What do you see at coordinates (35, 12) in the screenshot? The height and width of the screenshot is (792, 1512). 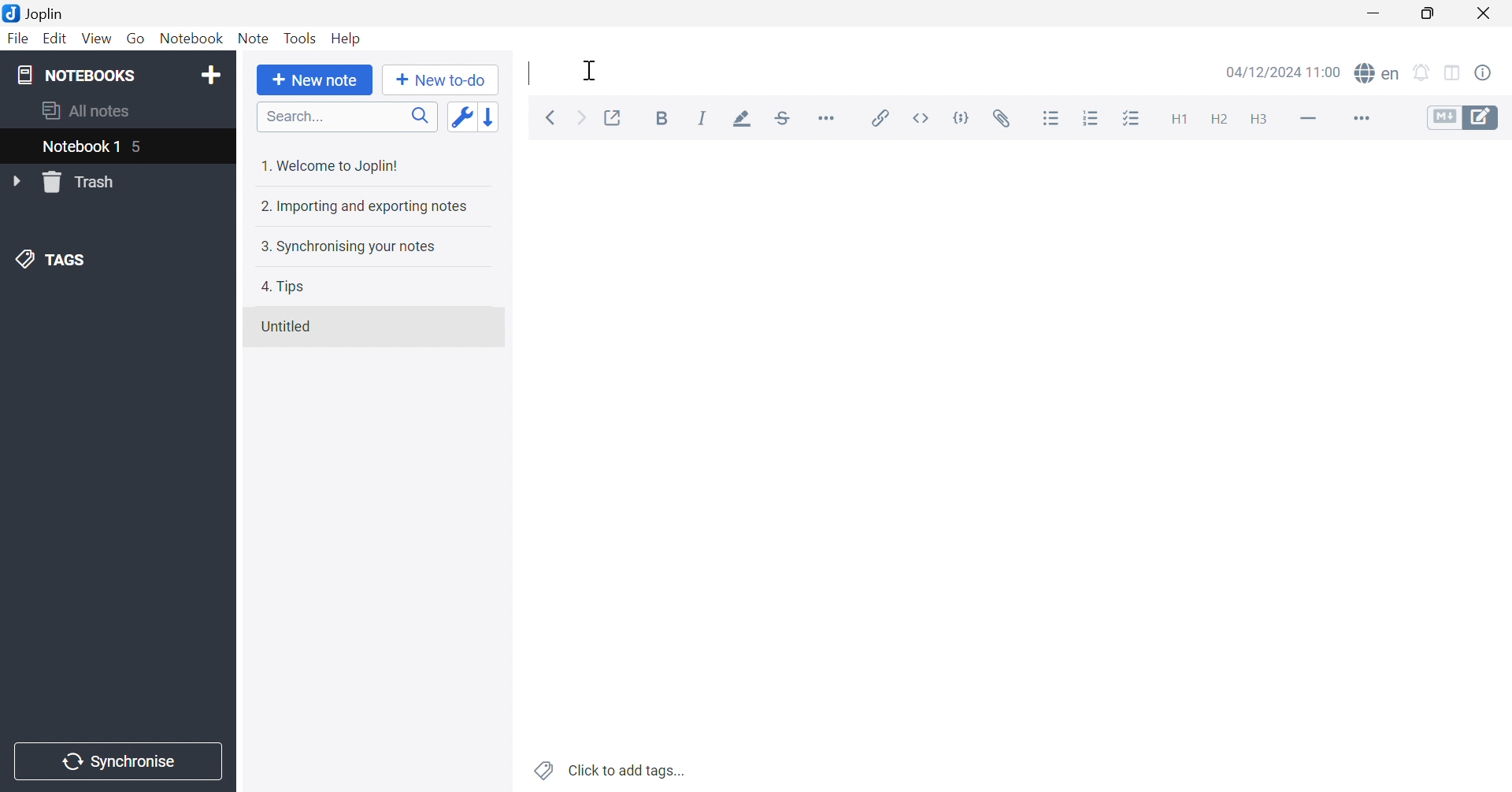 I see `Joplin` at bounding box center [35, 12].